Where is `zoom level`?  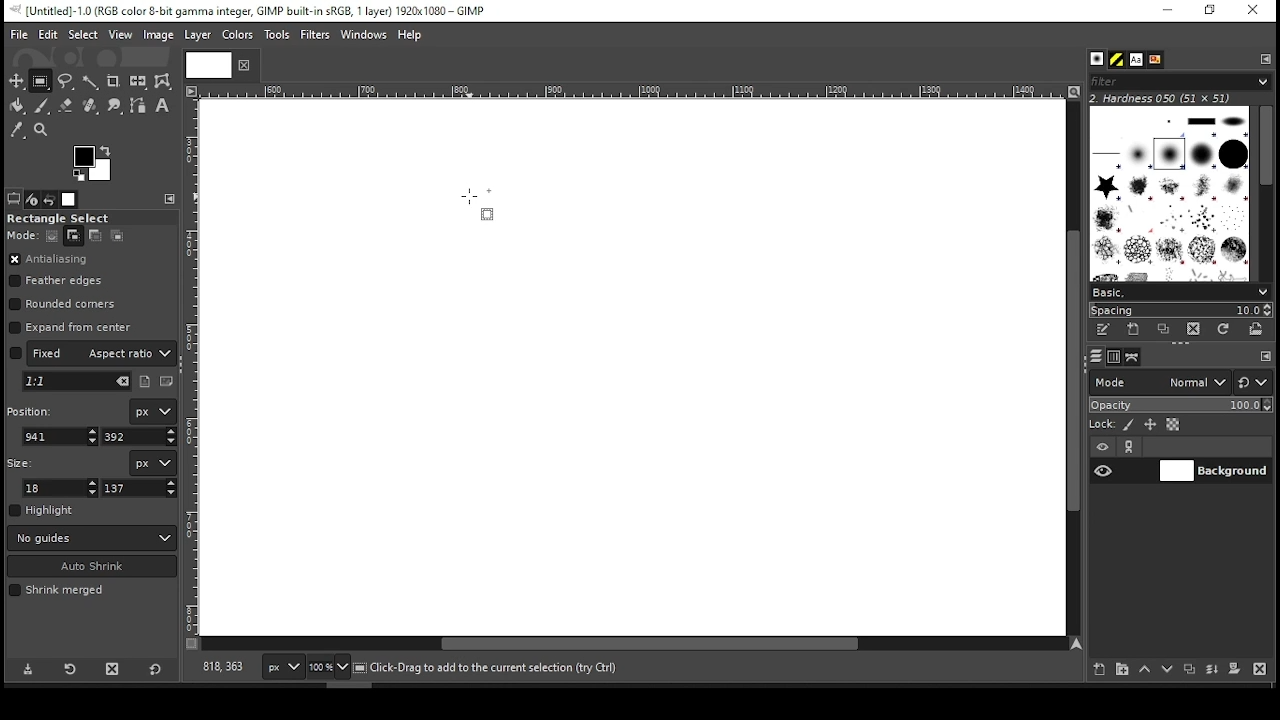
zoom level is located at coordinates (328, 669).